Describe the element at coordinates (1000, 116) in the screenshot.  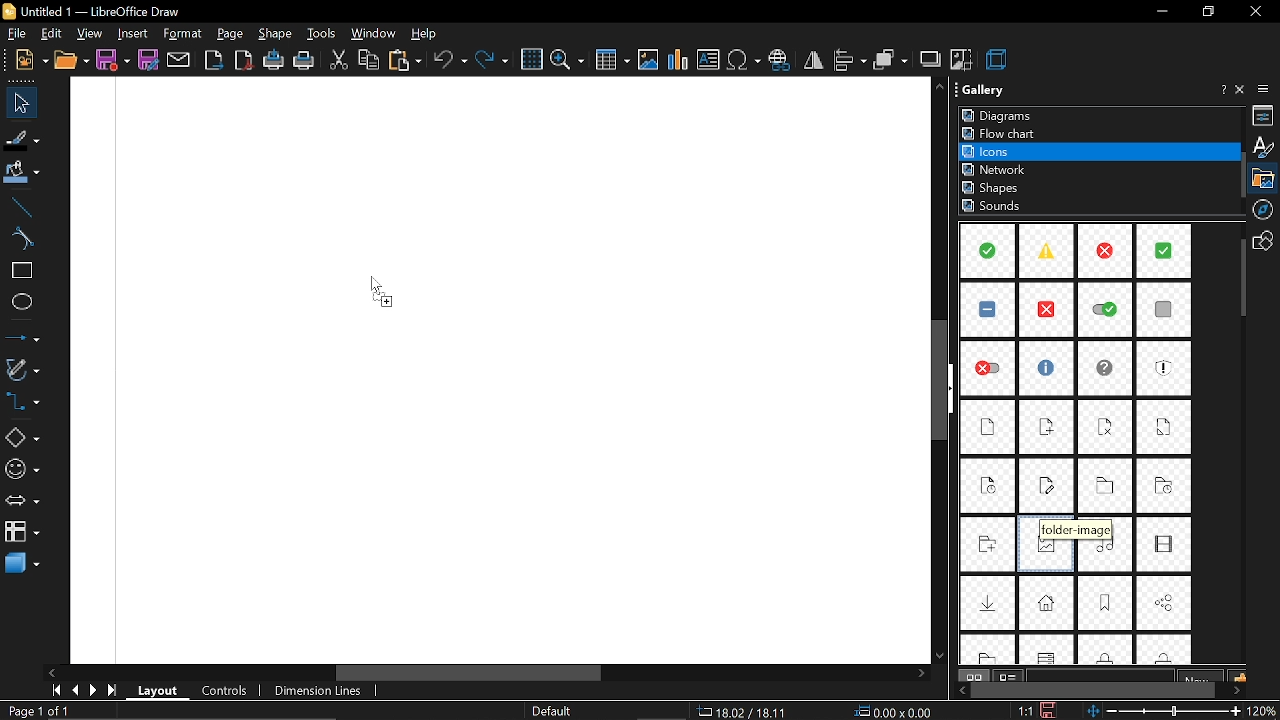
I see `diagrams` at that location.